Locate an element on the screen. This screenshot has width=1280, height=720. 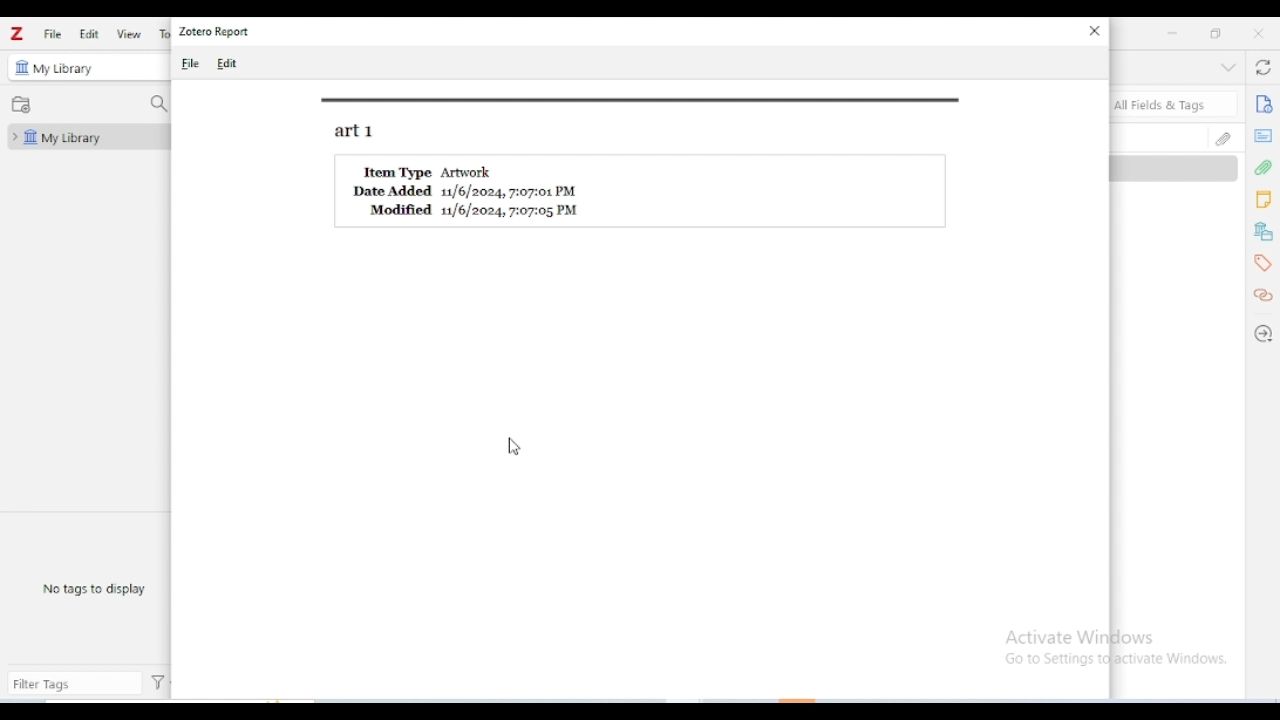
my library is located at coordinates (87, 137).